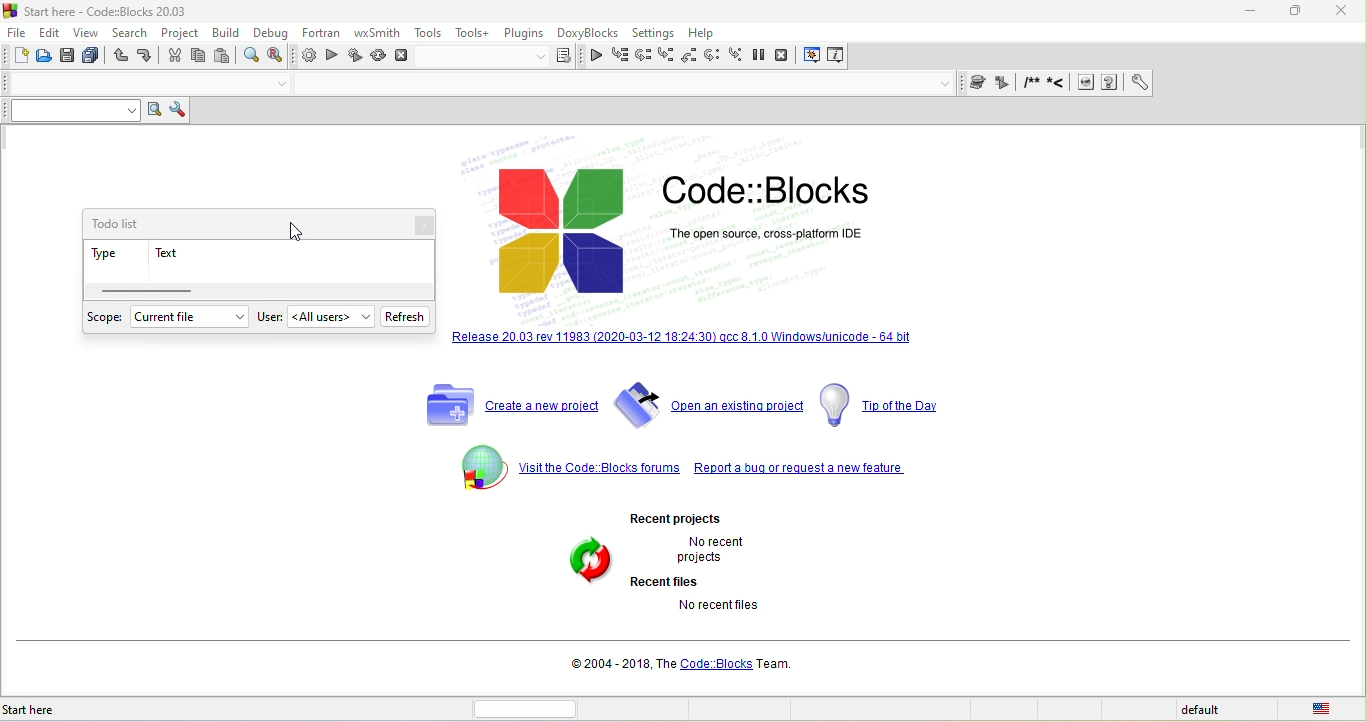 This screenshot has height=722, width=1366. Describe the element at coordinates (709, 408) in the screenshot. I see `open an existing project` at that location.